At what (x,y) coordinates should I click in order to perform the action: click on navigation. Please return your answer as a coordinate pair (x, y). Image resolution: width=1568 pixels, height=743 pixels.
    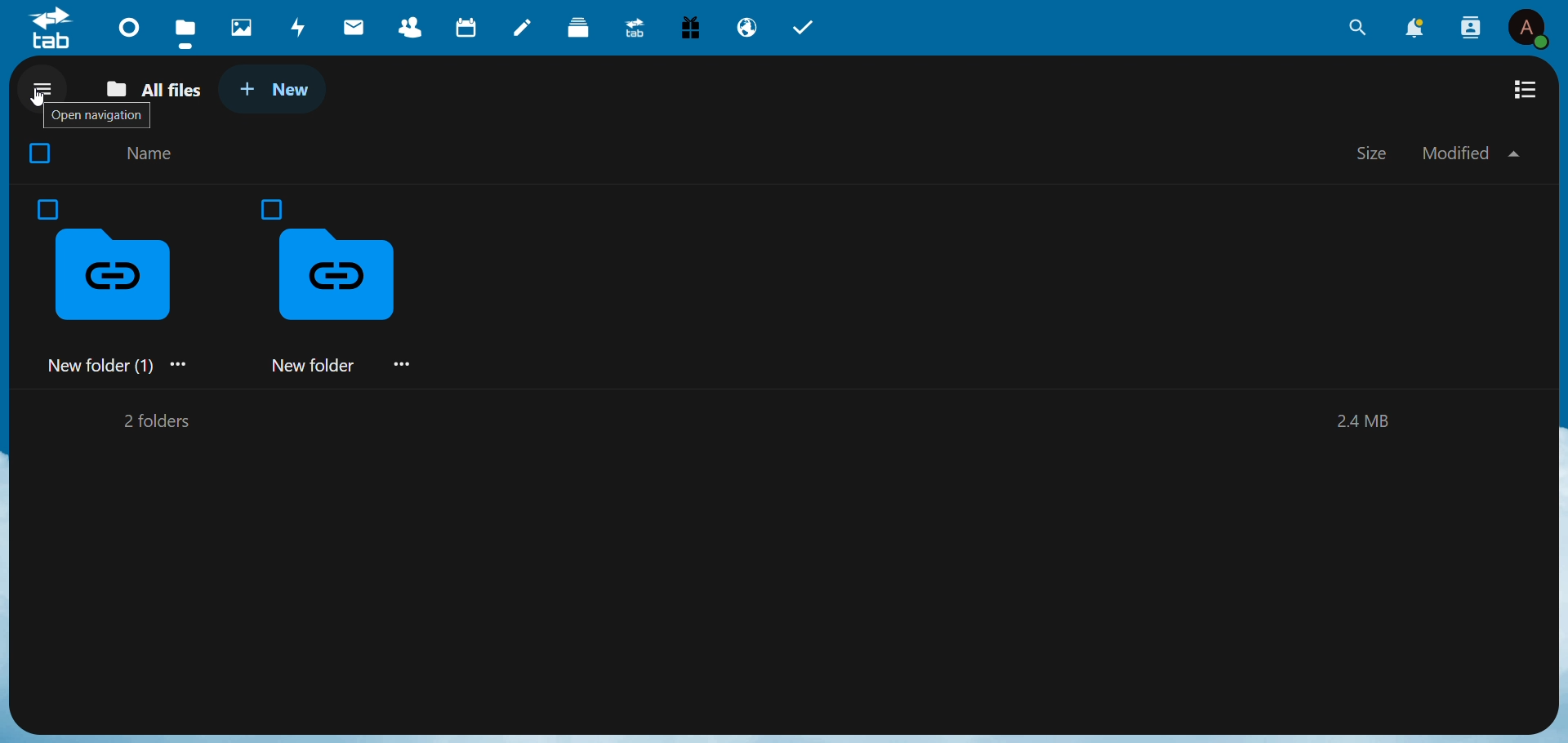
    Looking at the image, I should click on (43, 88).